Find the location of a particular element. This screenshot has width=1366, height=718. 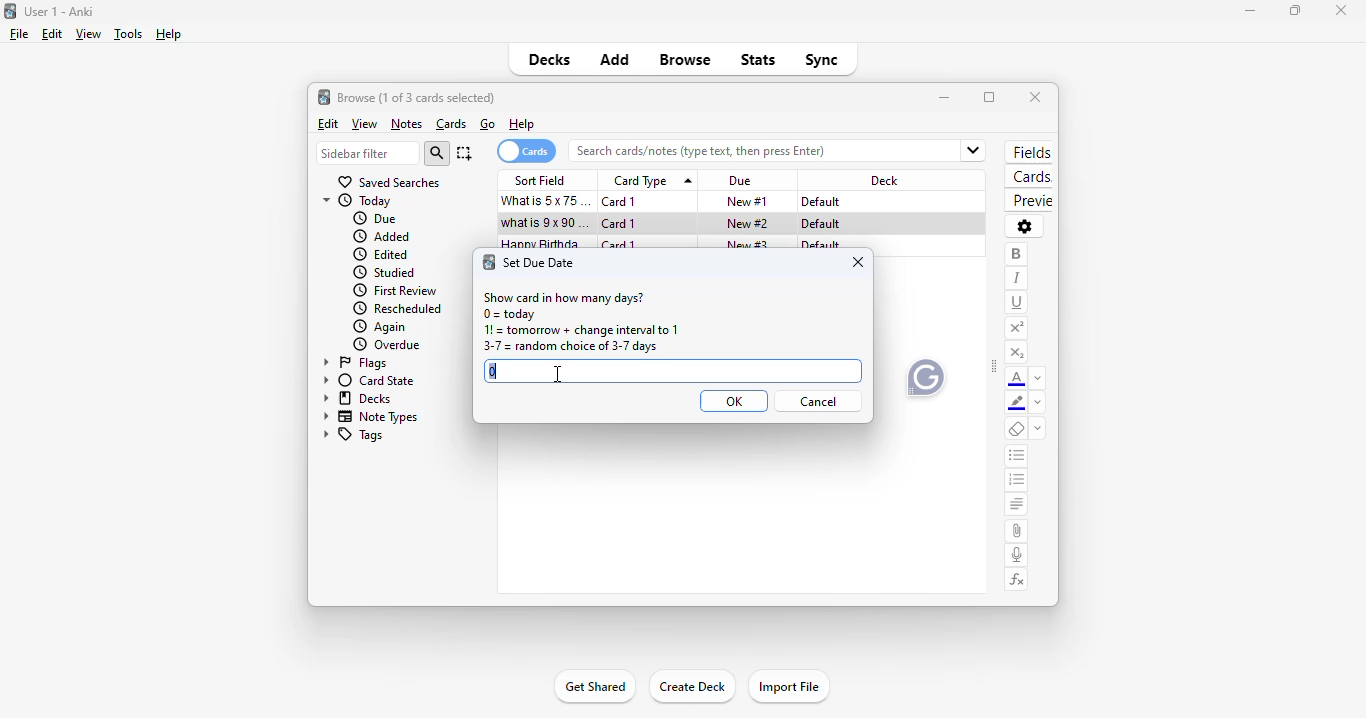

card 1 is located at coordinates (621, 202).